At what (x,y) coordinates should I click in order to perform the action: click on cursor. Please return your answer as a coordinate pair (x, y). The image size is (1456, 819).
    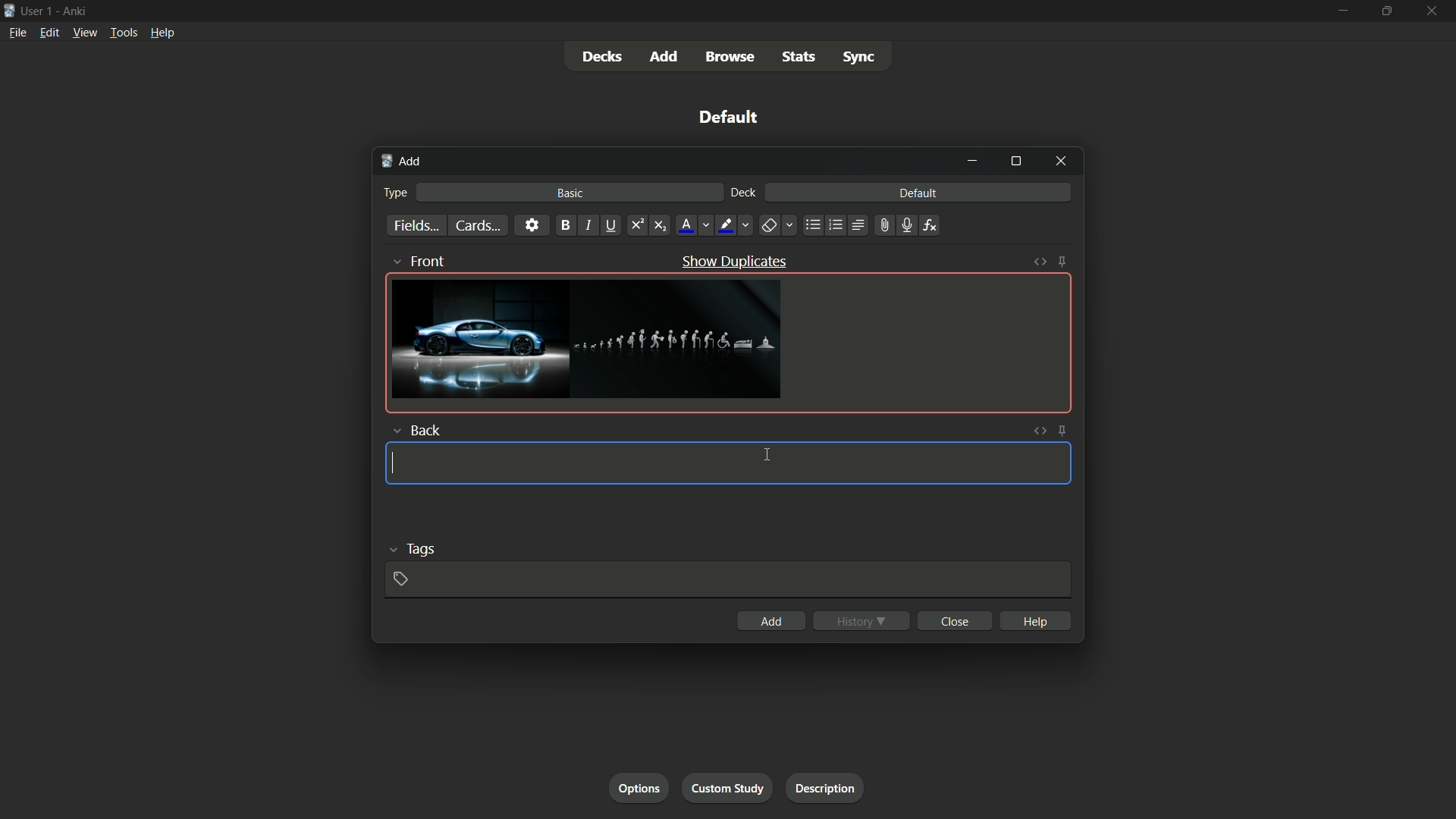
    Looking at the image, I should click on (767, 455).